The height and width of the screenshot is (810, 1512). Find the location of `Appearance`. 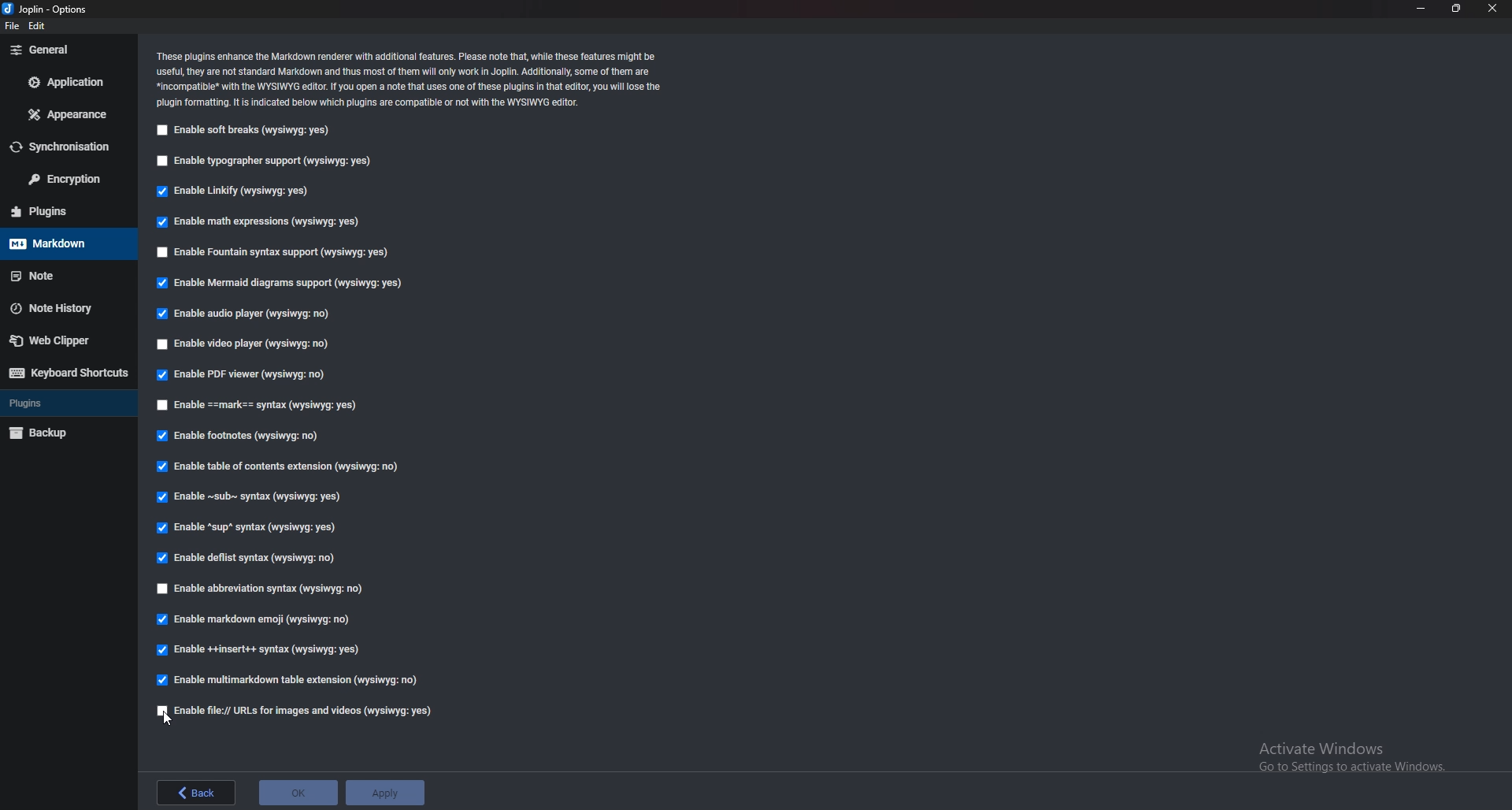

Appearance is located at coordinates (67, 113).